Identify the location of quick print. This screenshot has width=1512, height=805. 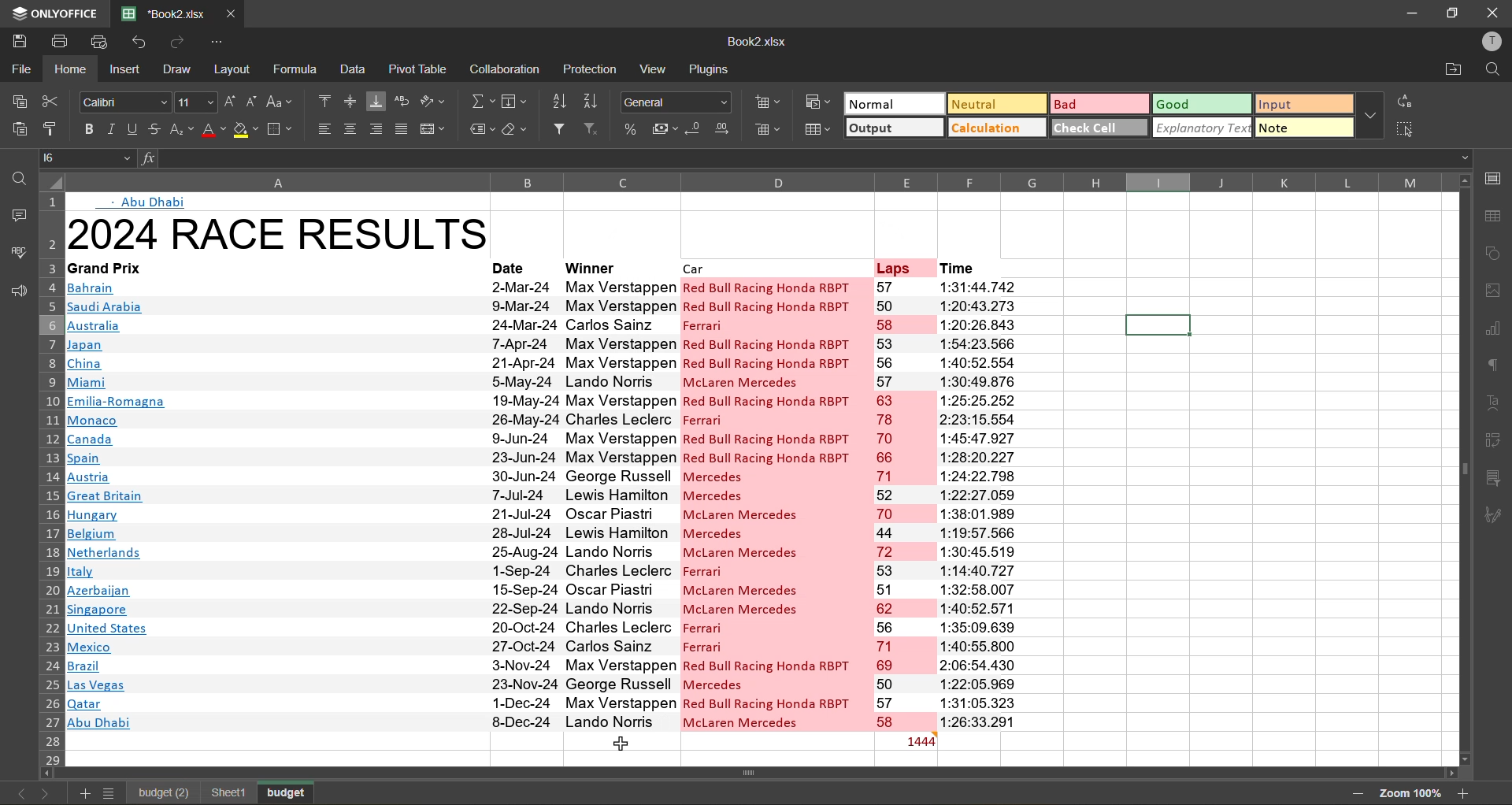
(101, 40).